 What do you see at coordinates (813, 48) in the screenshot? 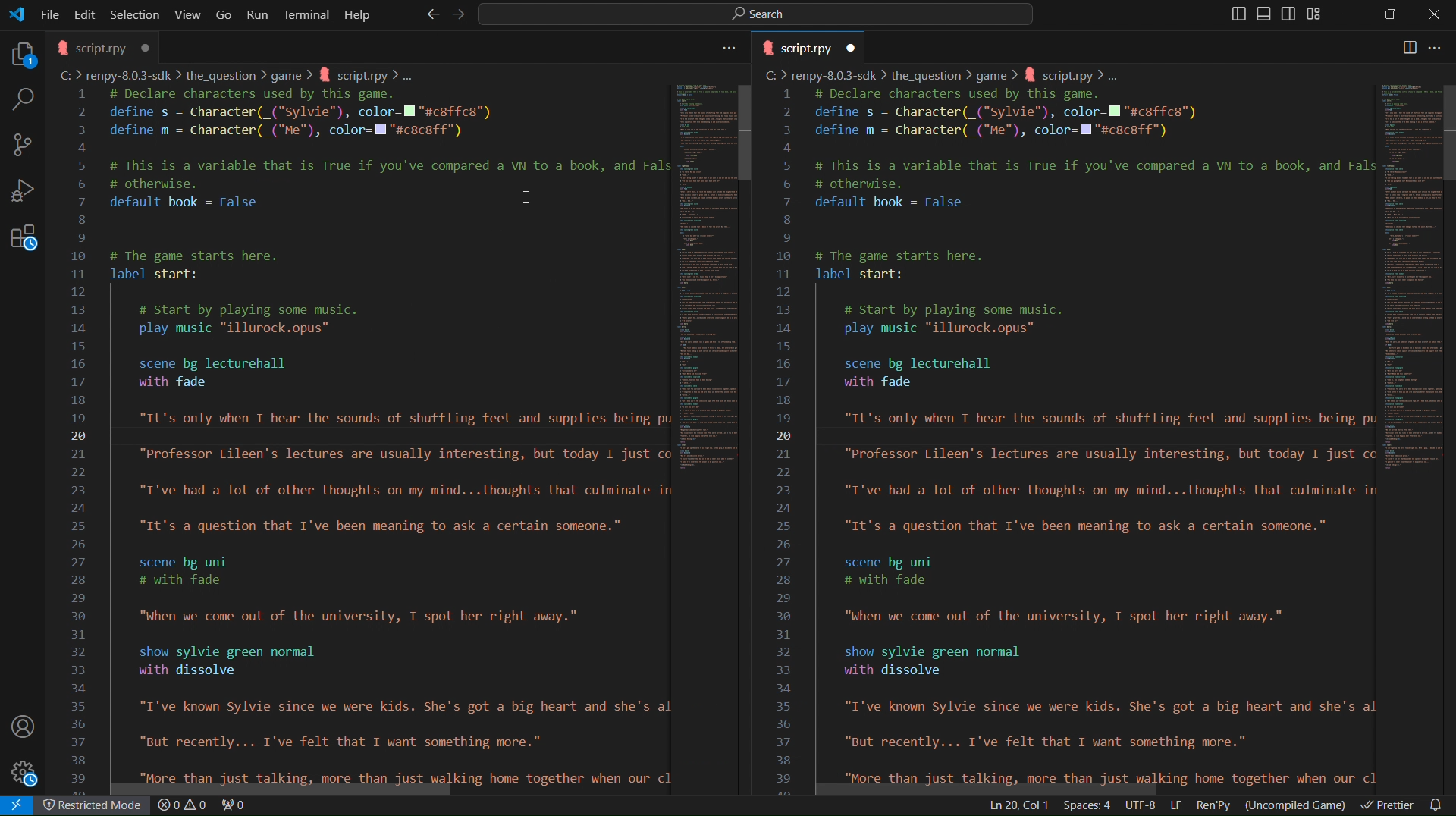
I see `Script.rpy` at bounding box center [813, 48].